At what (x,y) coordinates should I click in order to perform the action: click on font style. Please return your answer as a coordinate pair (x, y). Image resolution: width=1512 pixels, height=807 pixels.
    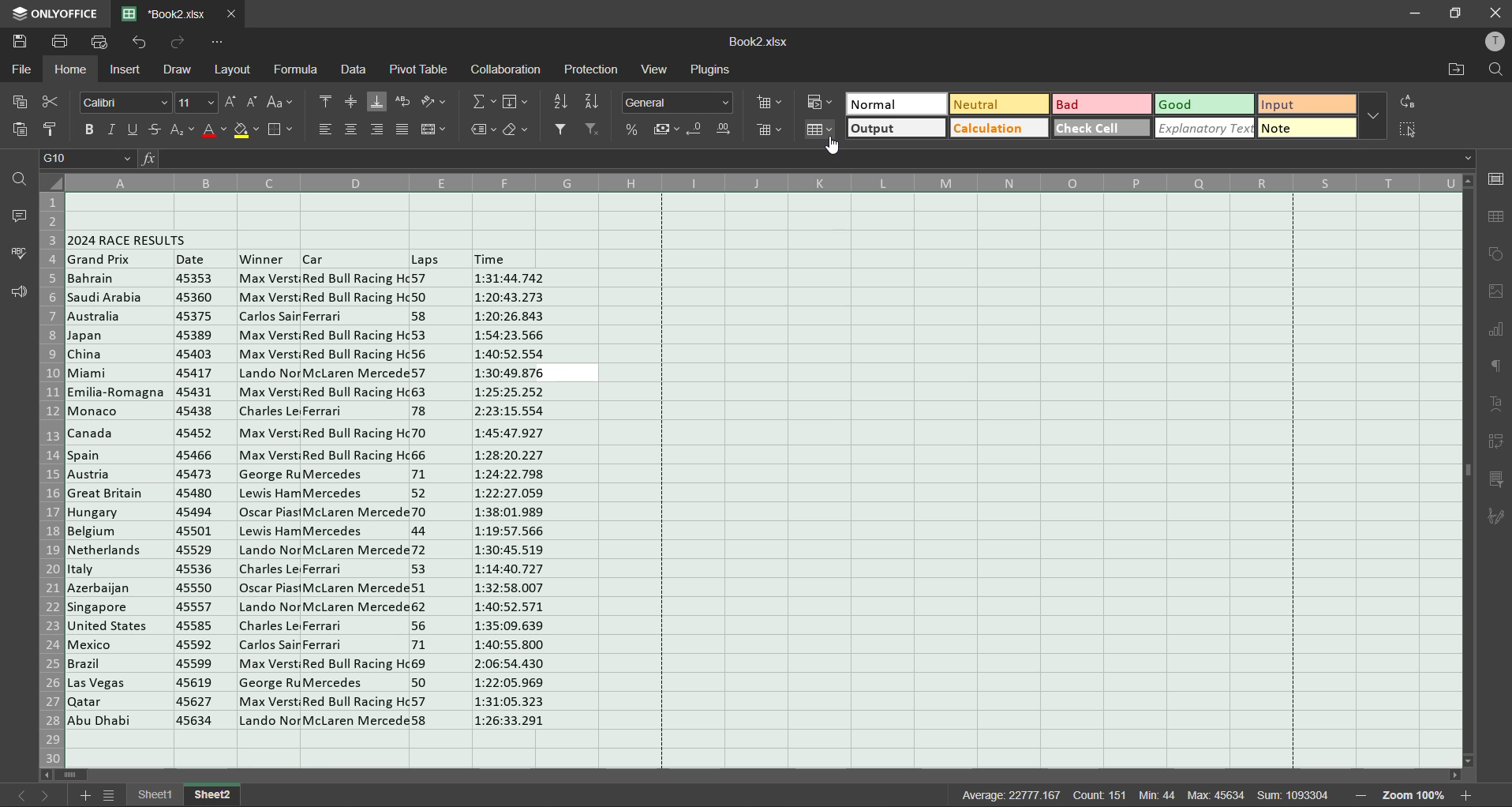
    Looking at the image, I should click on (124, 103).